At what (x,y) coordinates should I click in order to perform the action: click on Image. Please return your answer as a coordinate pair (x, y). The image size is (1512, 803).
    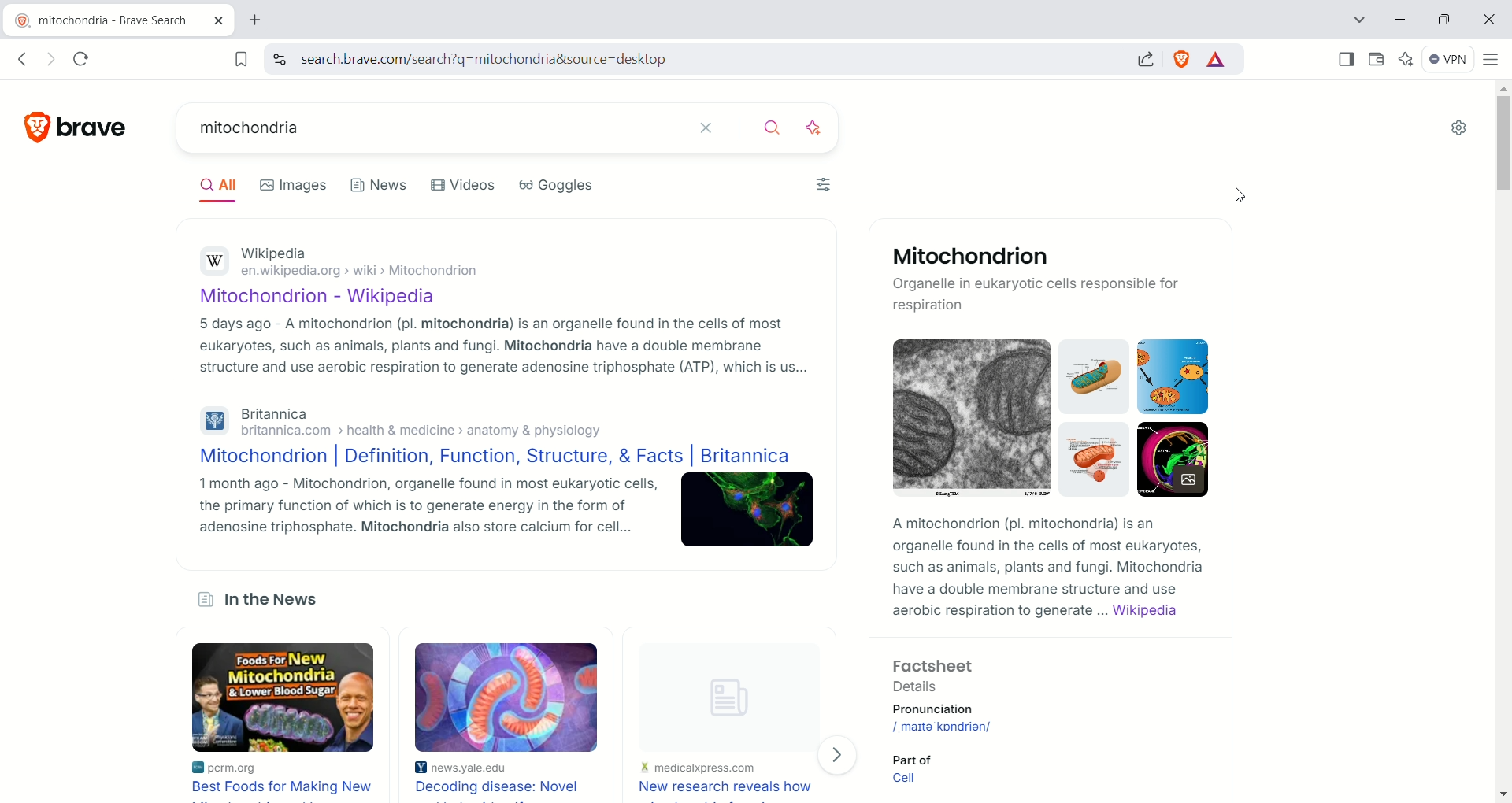
    Looking at the image, I should click on (746, 509).